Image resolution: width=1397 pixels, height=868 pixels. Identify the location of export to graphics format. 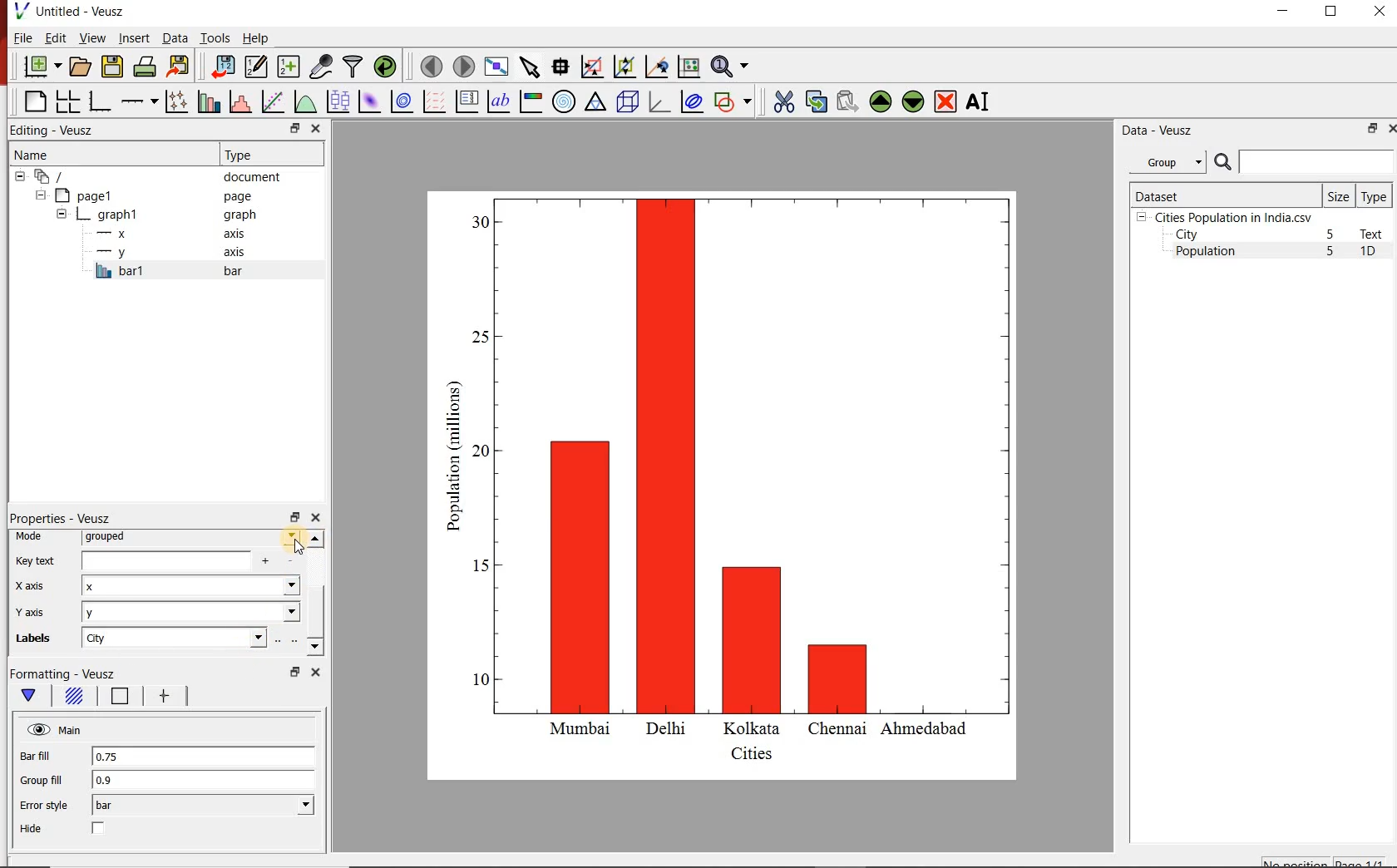
(179, 67).